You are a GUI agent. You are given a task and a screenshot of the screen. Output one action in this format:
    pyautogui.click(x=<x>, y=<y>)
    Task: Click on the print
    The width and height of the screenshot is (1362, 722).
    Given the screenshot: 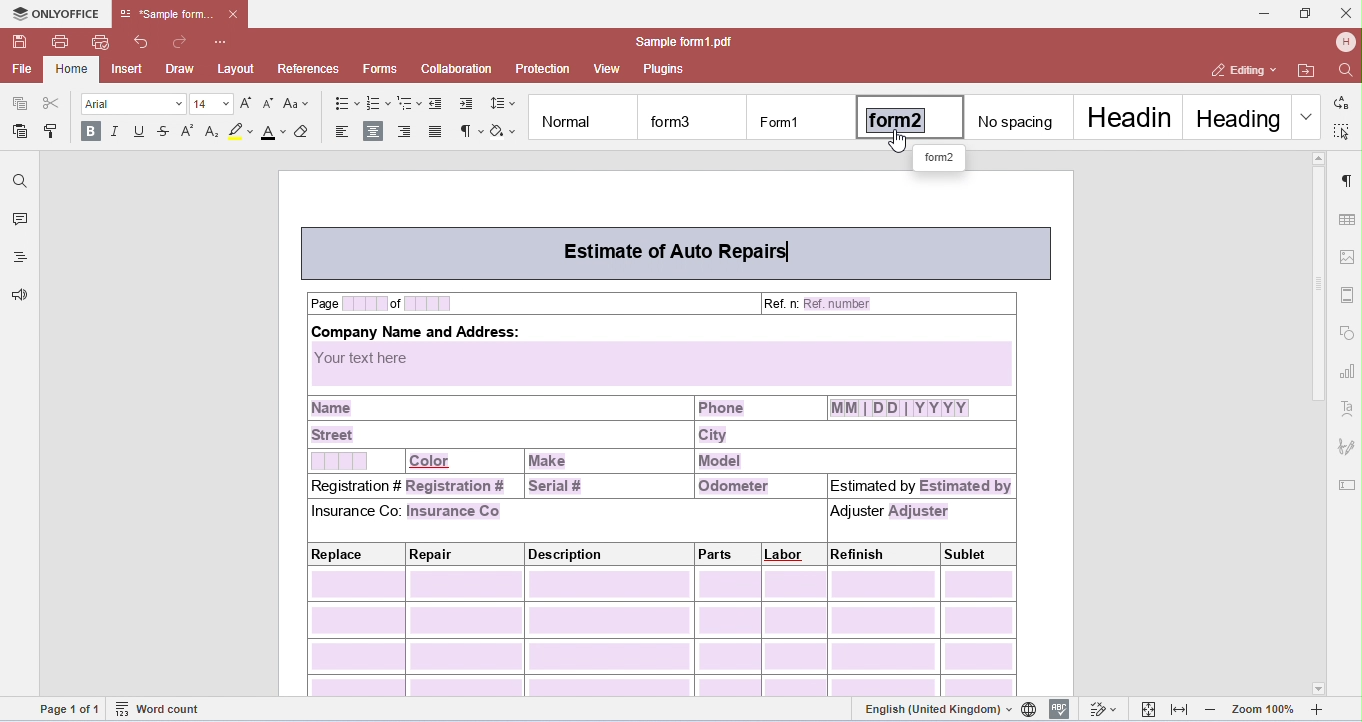 What is the action you would take?
    pyautogui.click(x=62, y=41)
    